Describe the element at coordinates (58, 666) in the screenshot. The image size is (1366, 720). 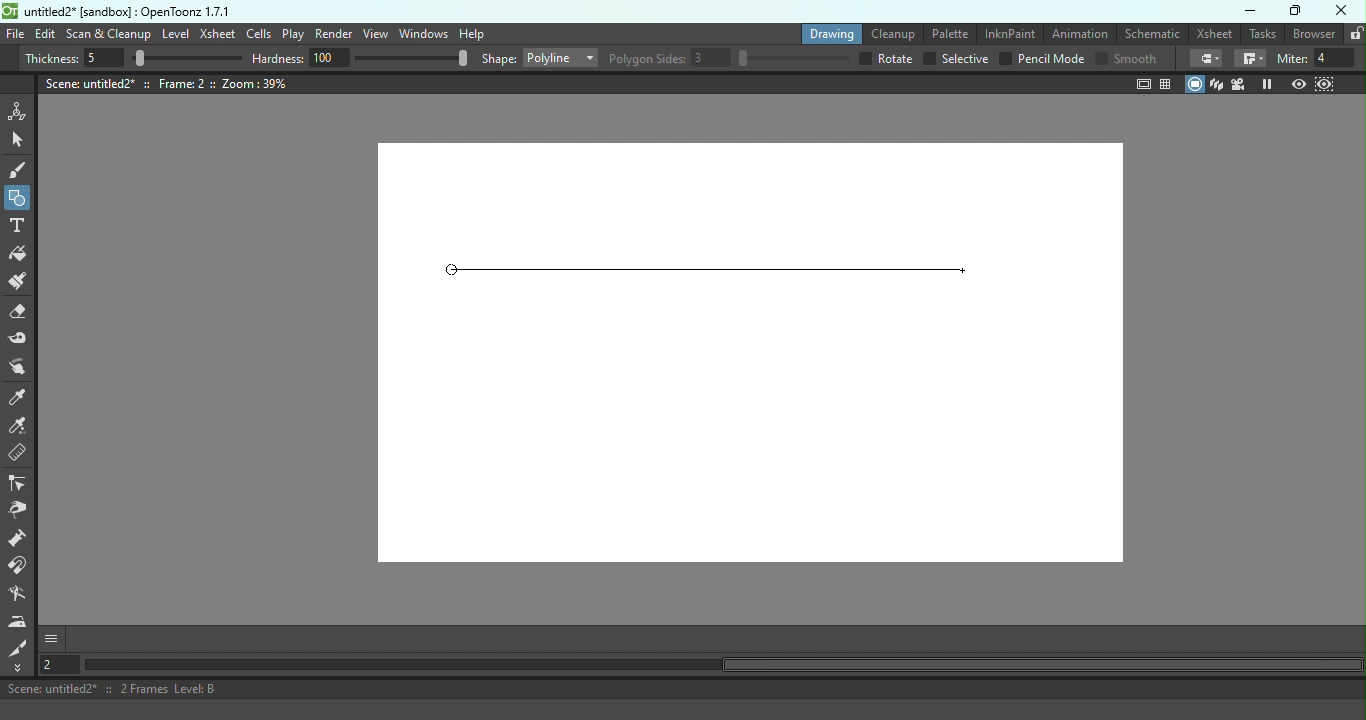
I see `Set the current frame` at that location.